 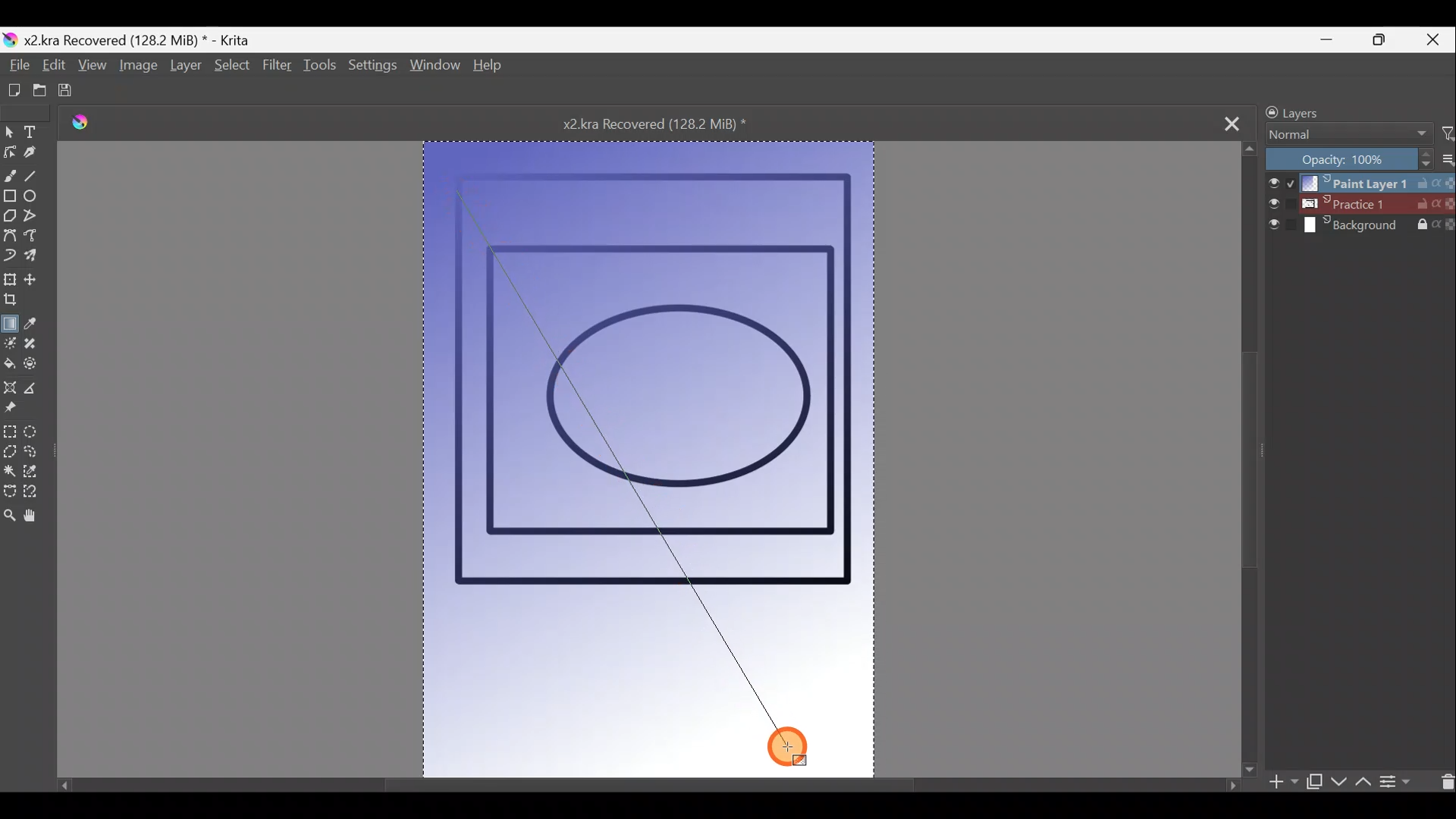 I want to click on Close, so click(x=1436, y=39).